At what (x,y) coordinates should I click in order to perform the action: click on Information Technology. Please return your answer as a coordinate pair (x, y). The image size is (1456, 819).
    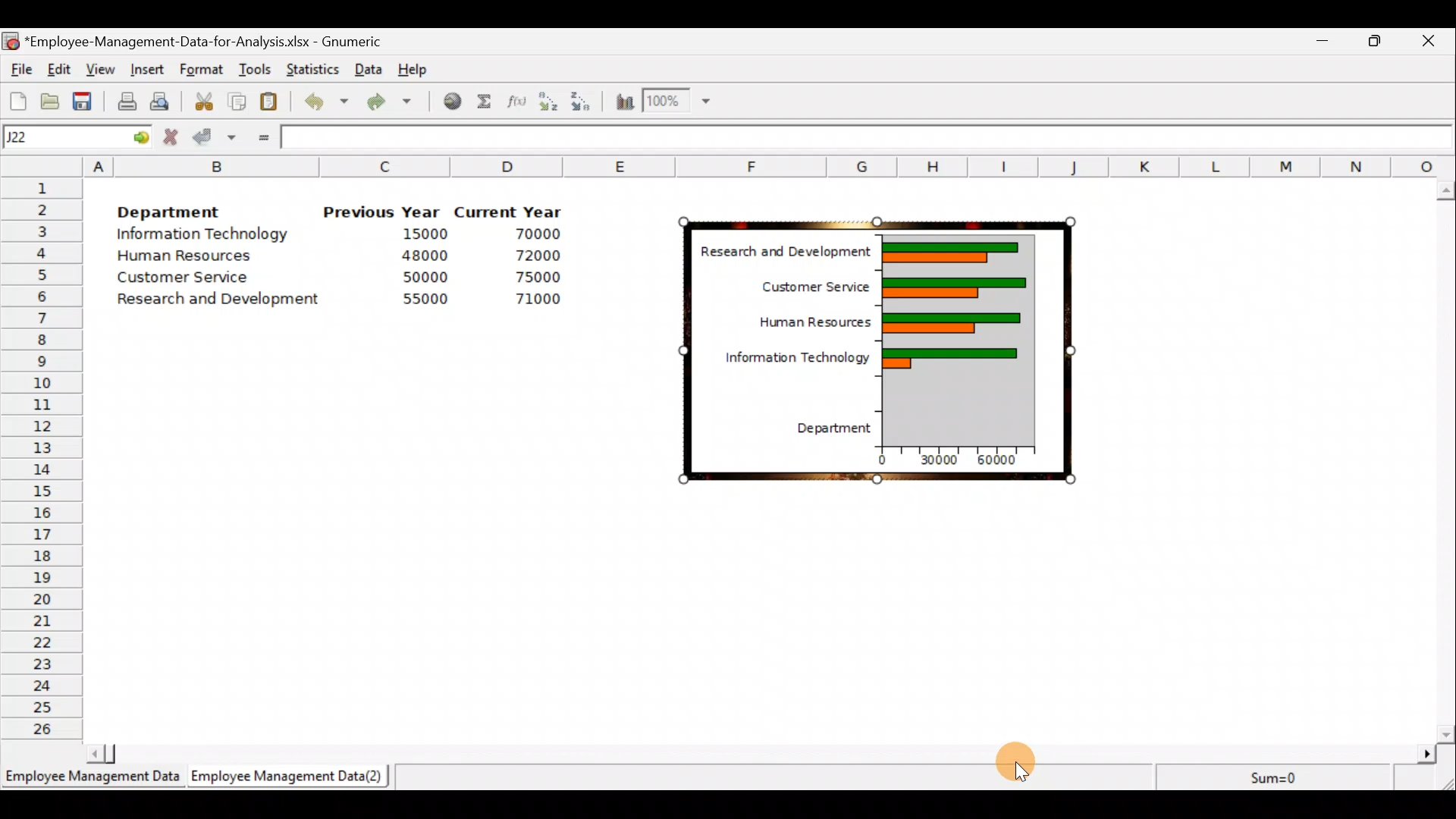
    Looking at the image, I should click on (203, 237).